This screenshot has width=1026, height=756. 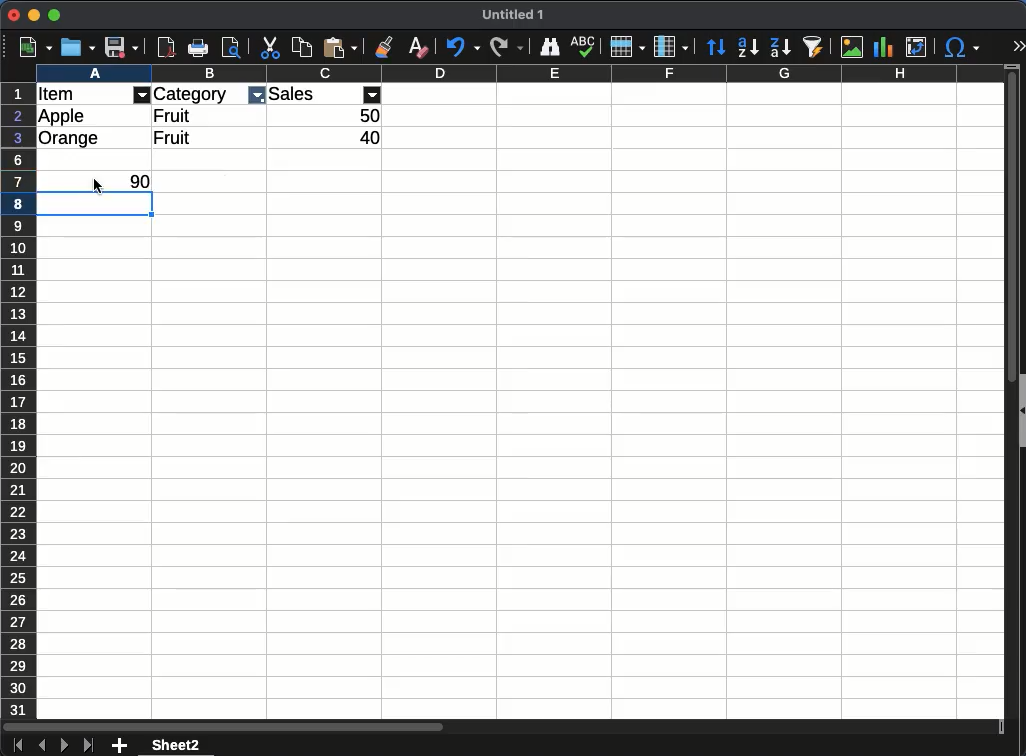 I want to click on print, so click(x=231, y=46).